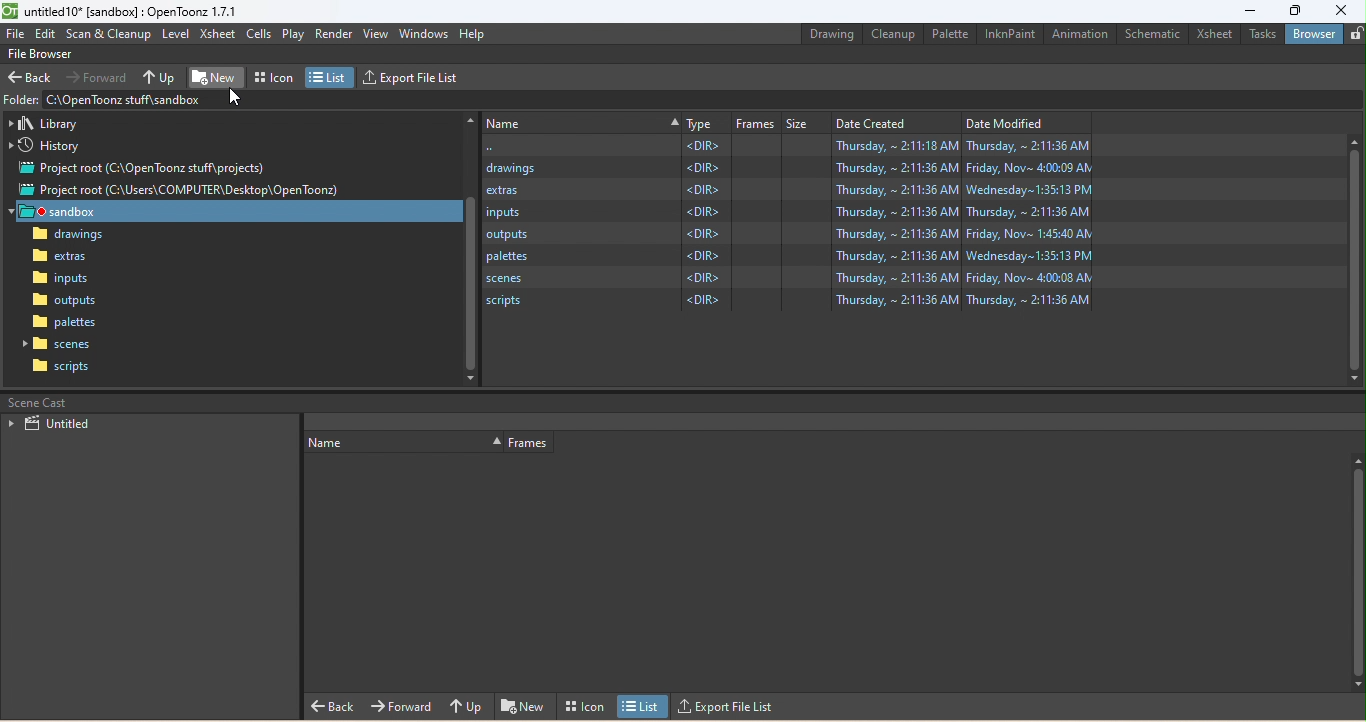  What do you see at coordinates (523, 705) in the screenshot?
I see `New ` at bounding box center [523, 705].